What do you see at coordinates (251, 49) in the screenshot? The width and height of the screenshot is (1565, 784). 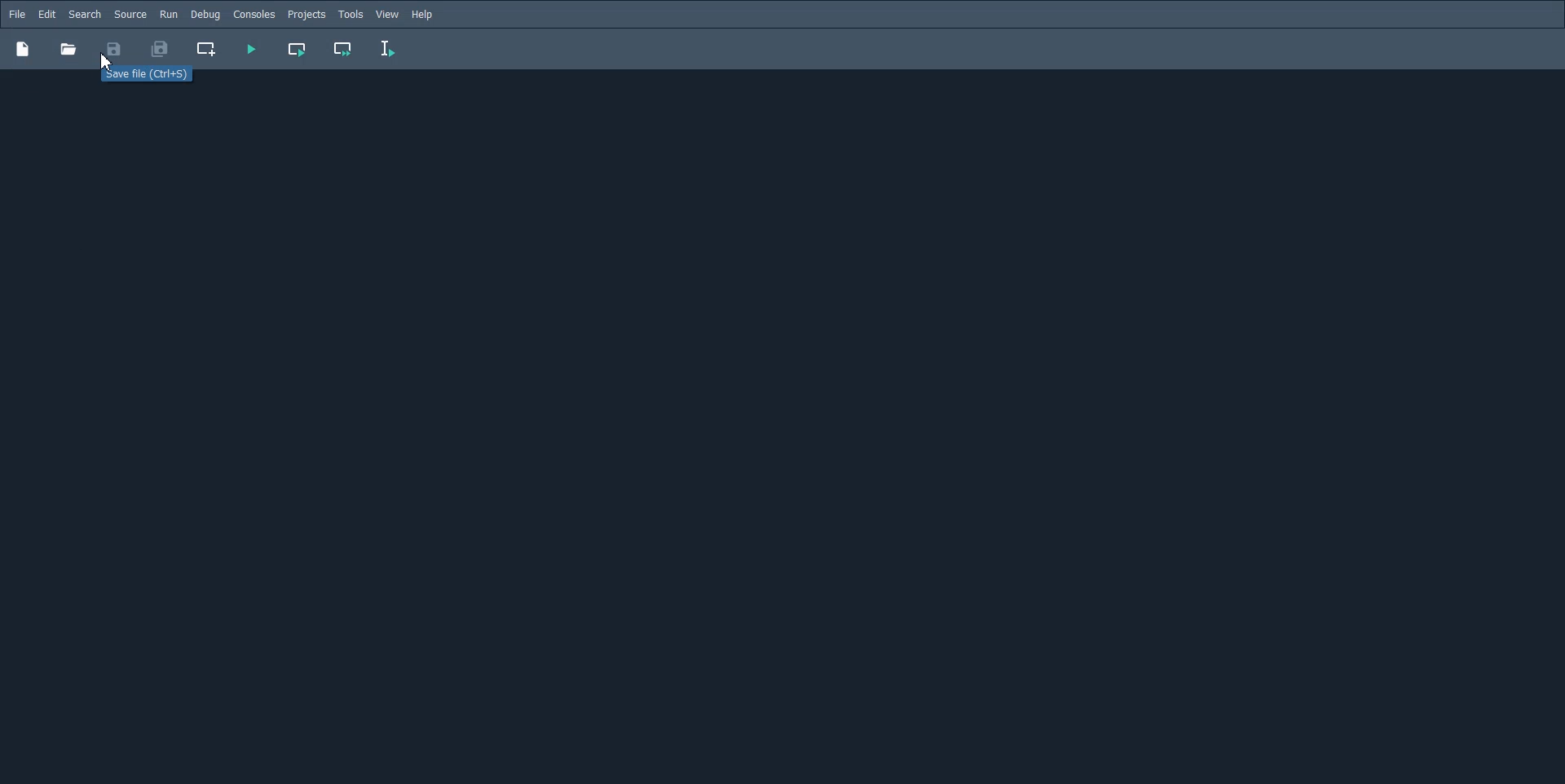 I see `Run File` at bounding box center [251, 49].